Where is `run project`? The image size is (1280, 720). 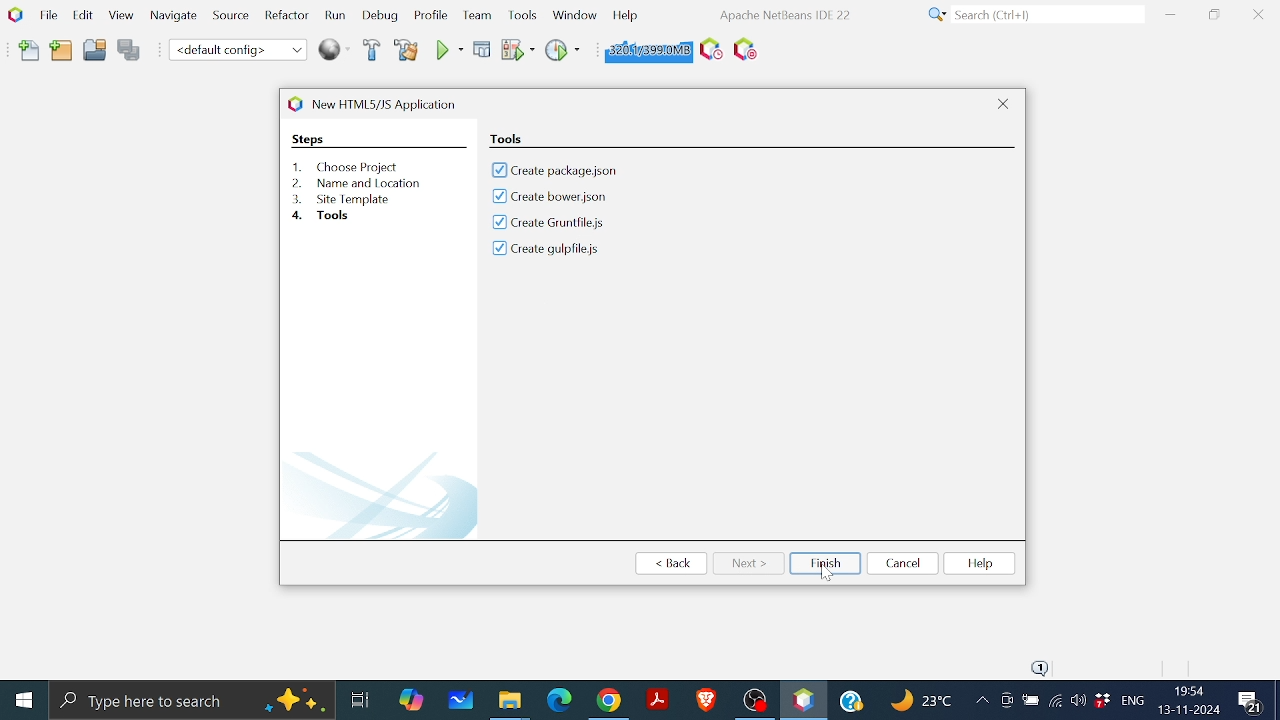 run project is located at coordinates (518, 50).